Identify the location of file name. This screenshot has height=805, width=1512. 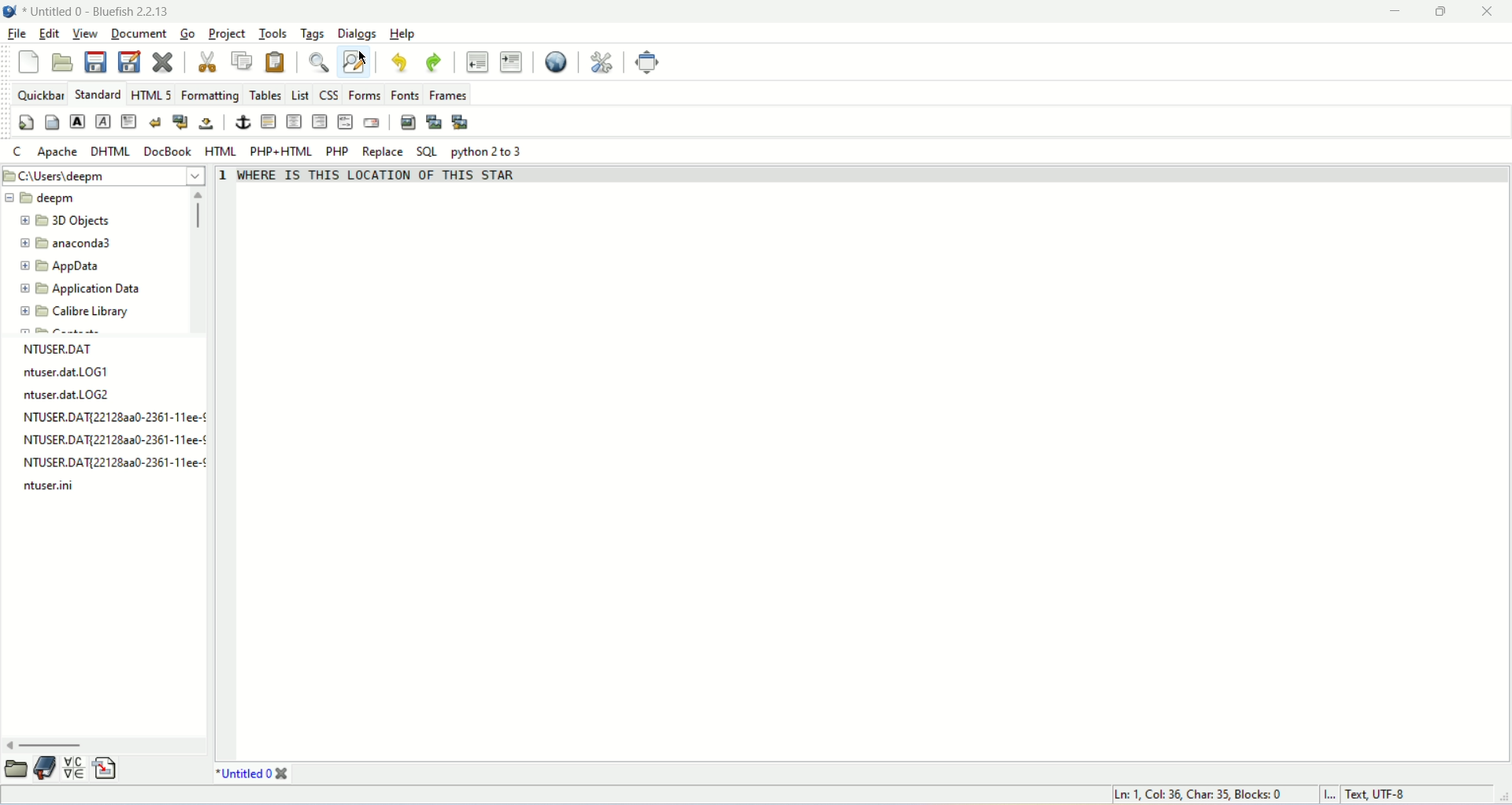
(113, 465).